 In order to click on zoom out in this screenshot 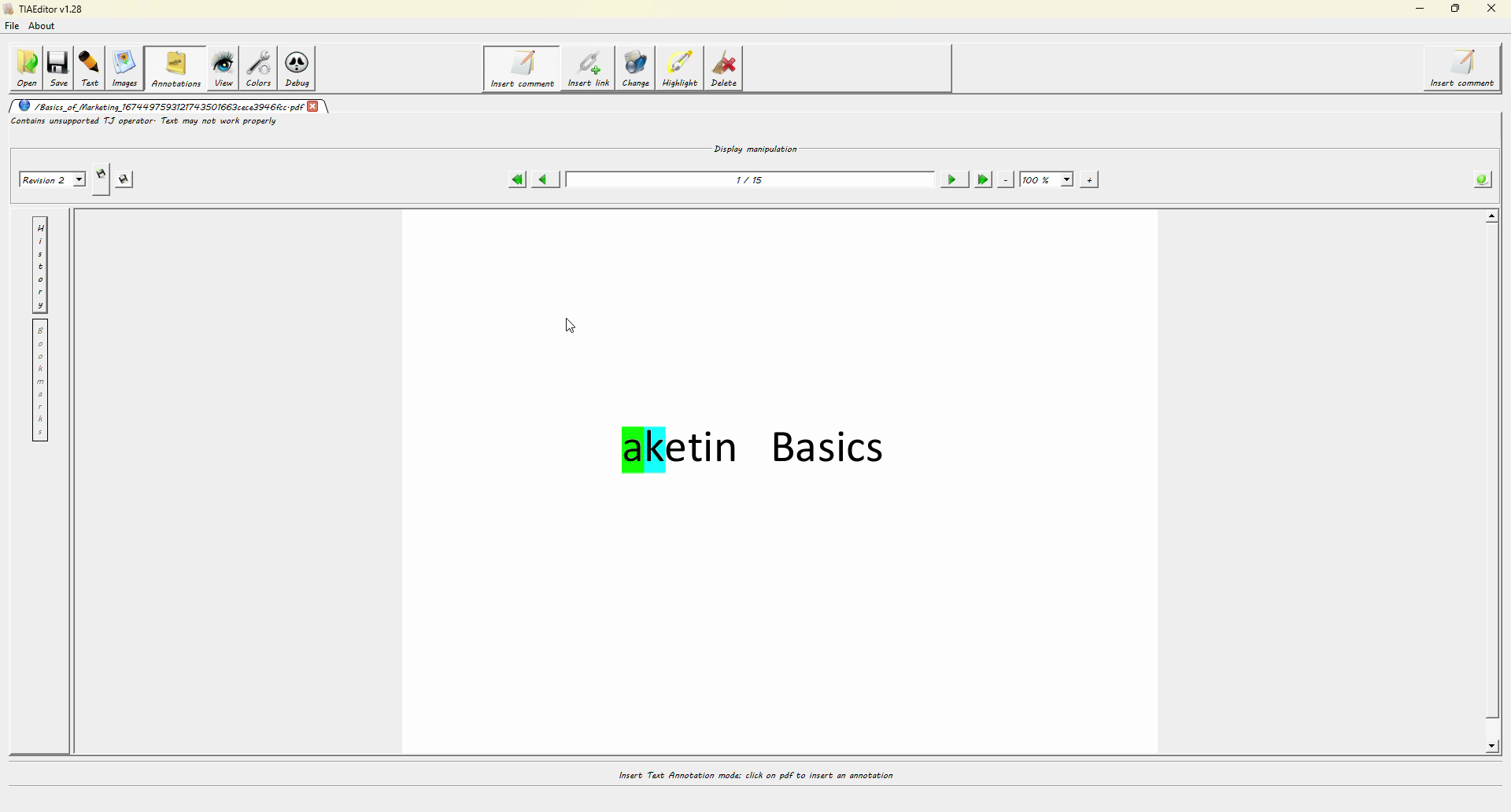, I will do `click(1006, 179)`.